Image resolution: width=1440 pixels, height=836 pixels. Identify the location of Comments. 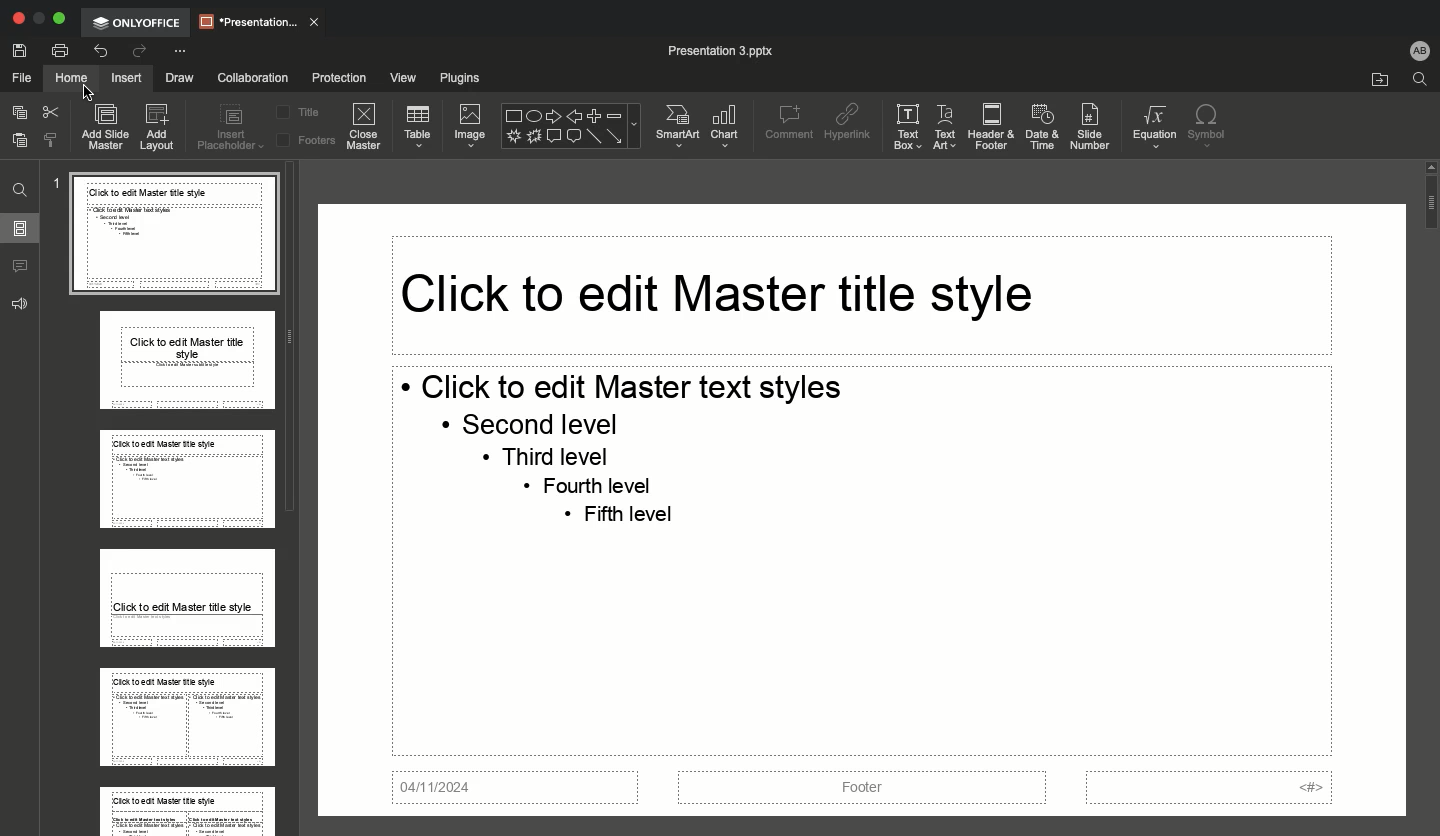
(23, 267).